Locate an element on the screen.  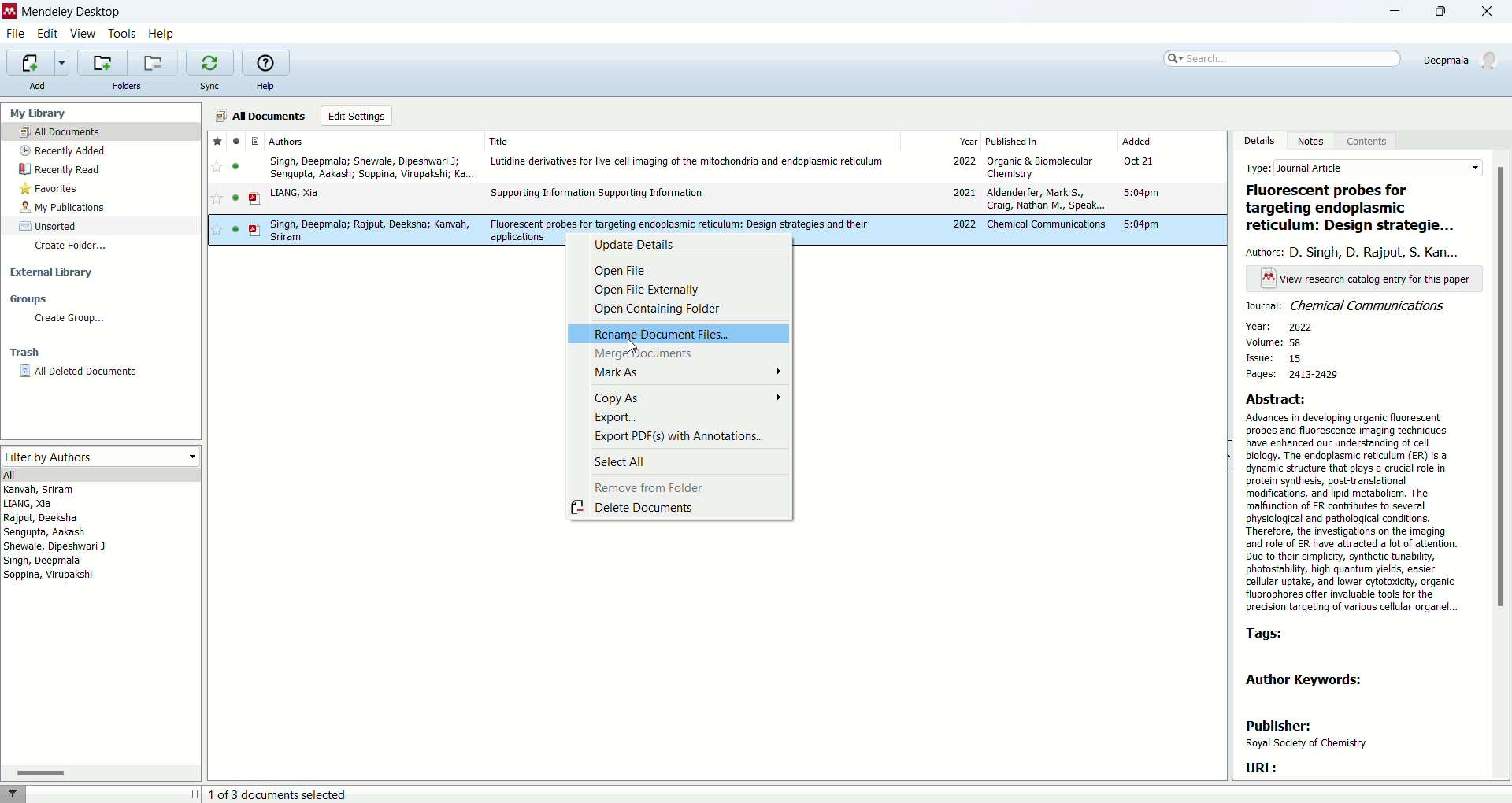
abstract is located at coordinates (1362, 503).